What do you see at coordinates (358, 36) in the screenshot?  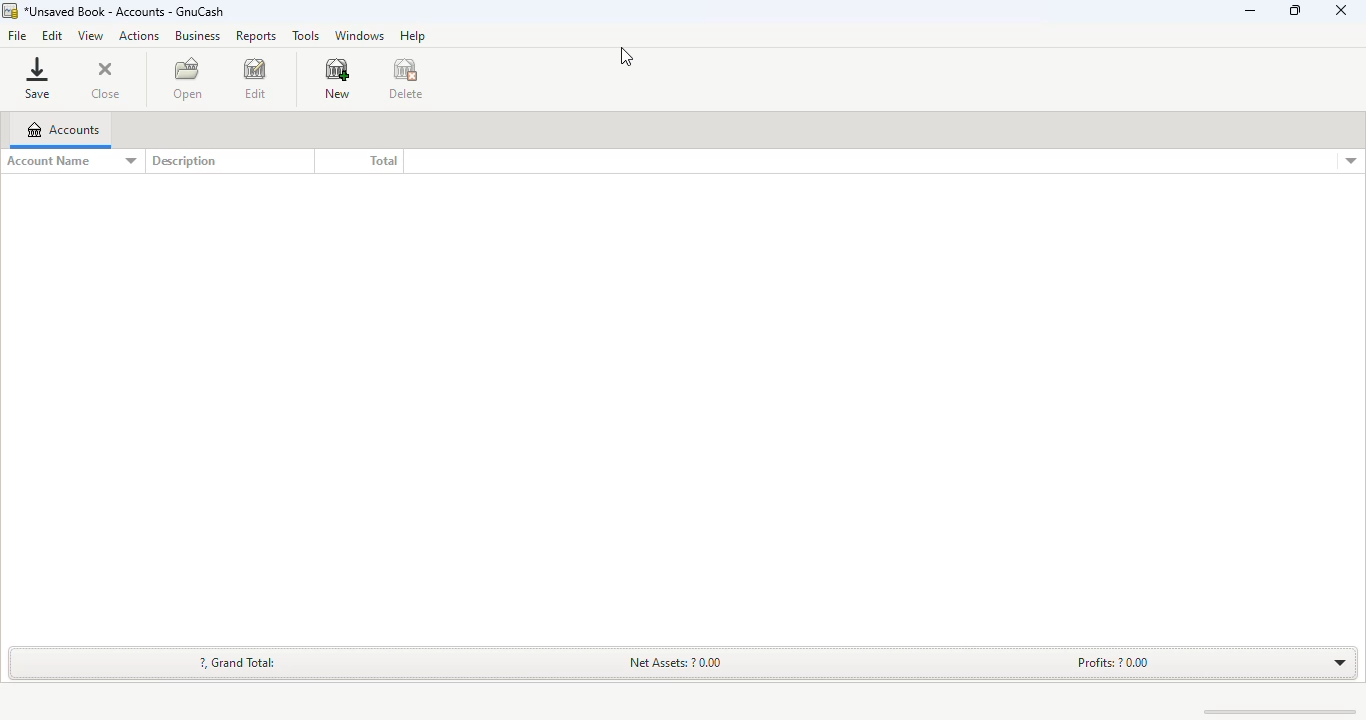 I see `windows` at bounding box center [358, 36].